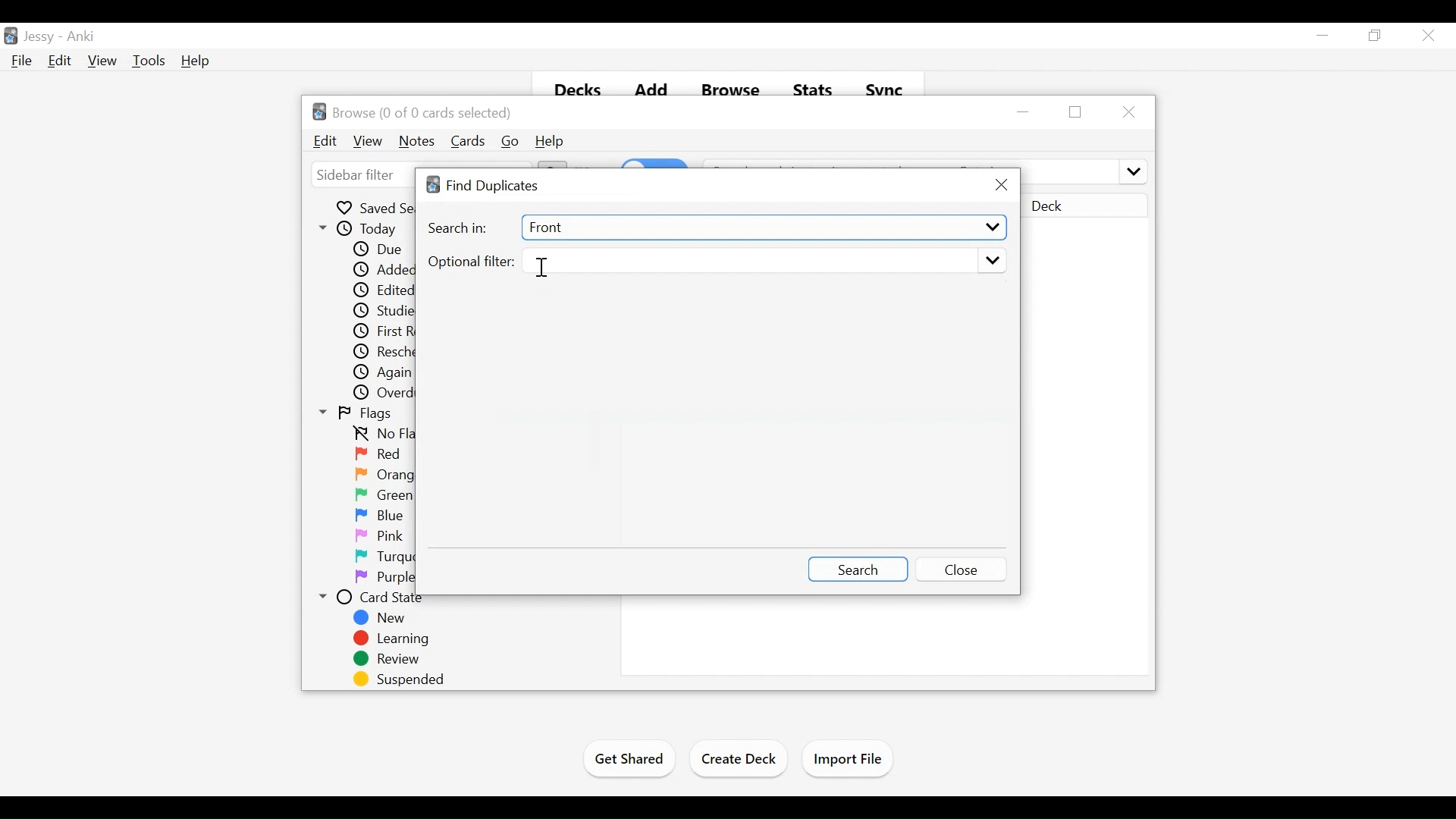  What do you see at coordinates (380, 271) in the screenshot?
I see `Added` at bounding box center [380, 271].